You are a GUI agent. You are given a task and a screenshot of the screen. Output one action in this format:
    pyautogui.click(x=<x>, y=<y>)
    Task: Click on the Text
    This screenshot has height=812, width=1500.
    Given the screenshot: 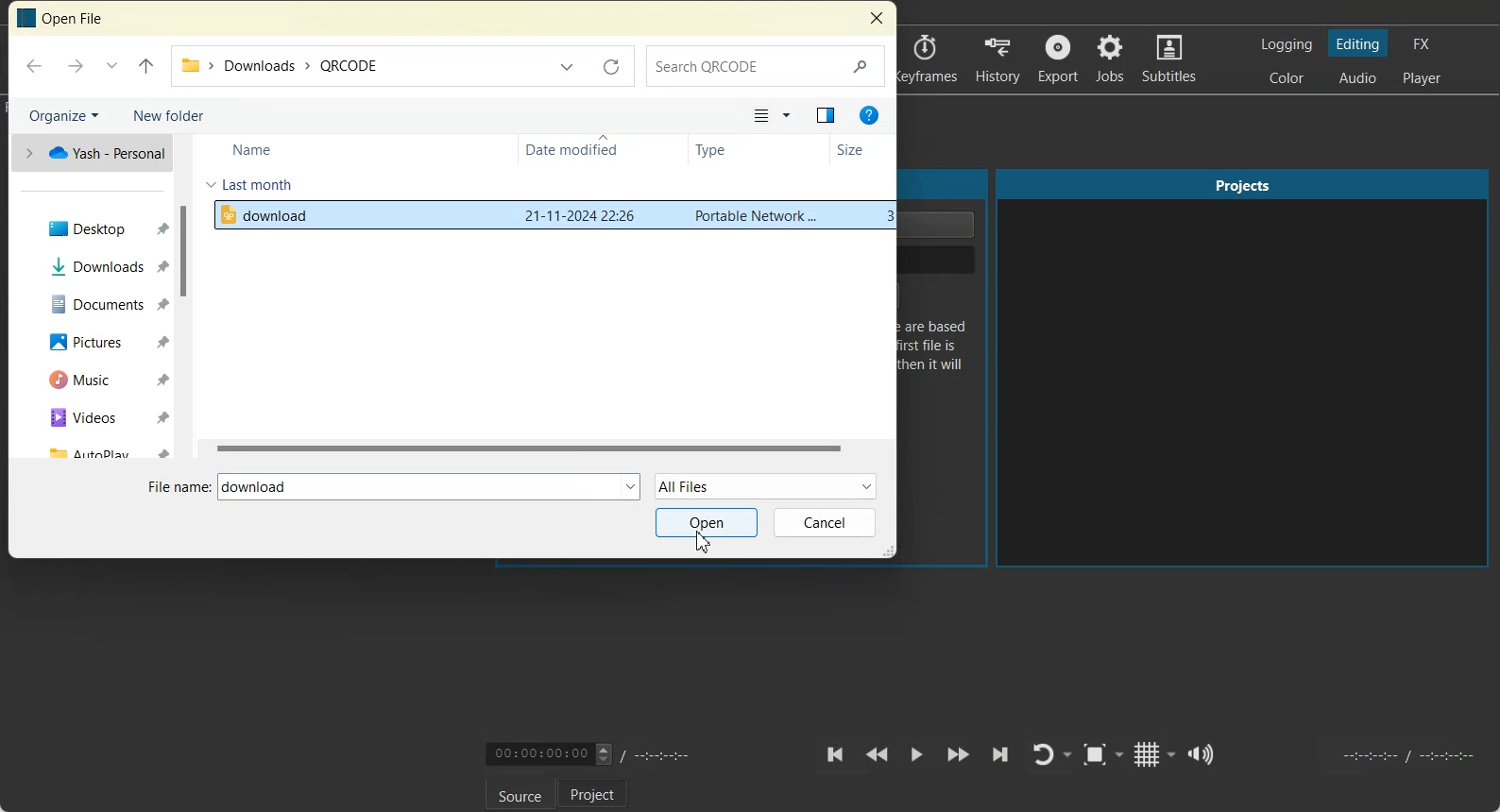 What is the action you would take?
    pyautogui.click(x=256, y=487)
    